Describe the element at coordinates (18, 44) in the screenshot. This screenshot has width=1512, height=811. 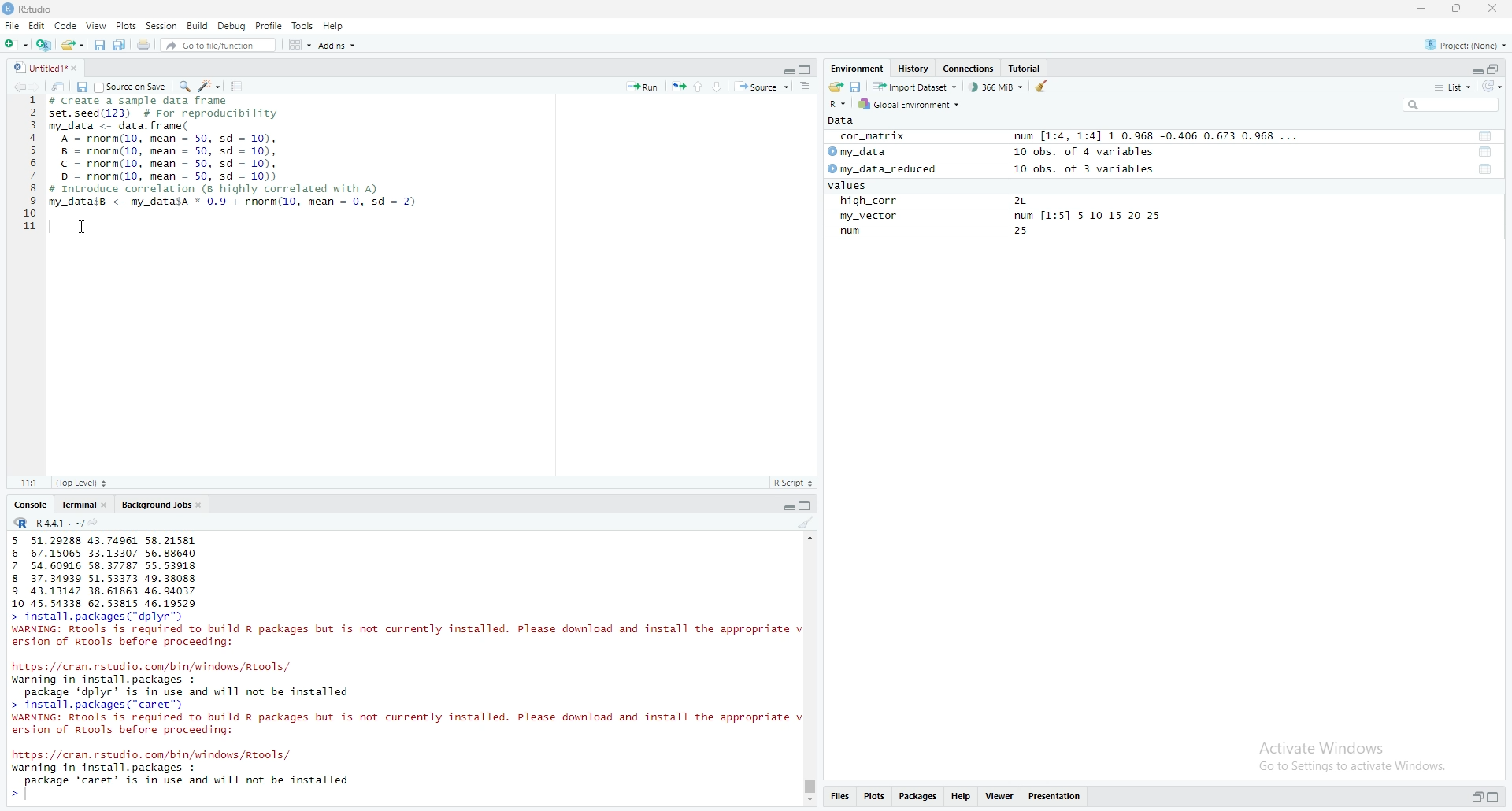
I see `add folder` at that location.